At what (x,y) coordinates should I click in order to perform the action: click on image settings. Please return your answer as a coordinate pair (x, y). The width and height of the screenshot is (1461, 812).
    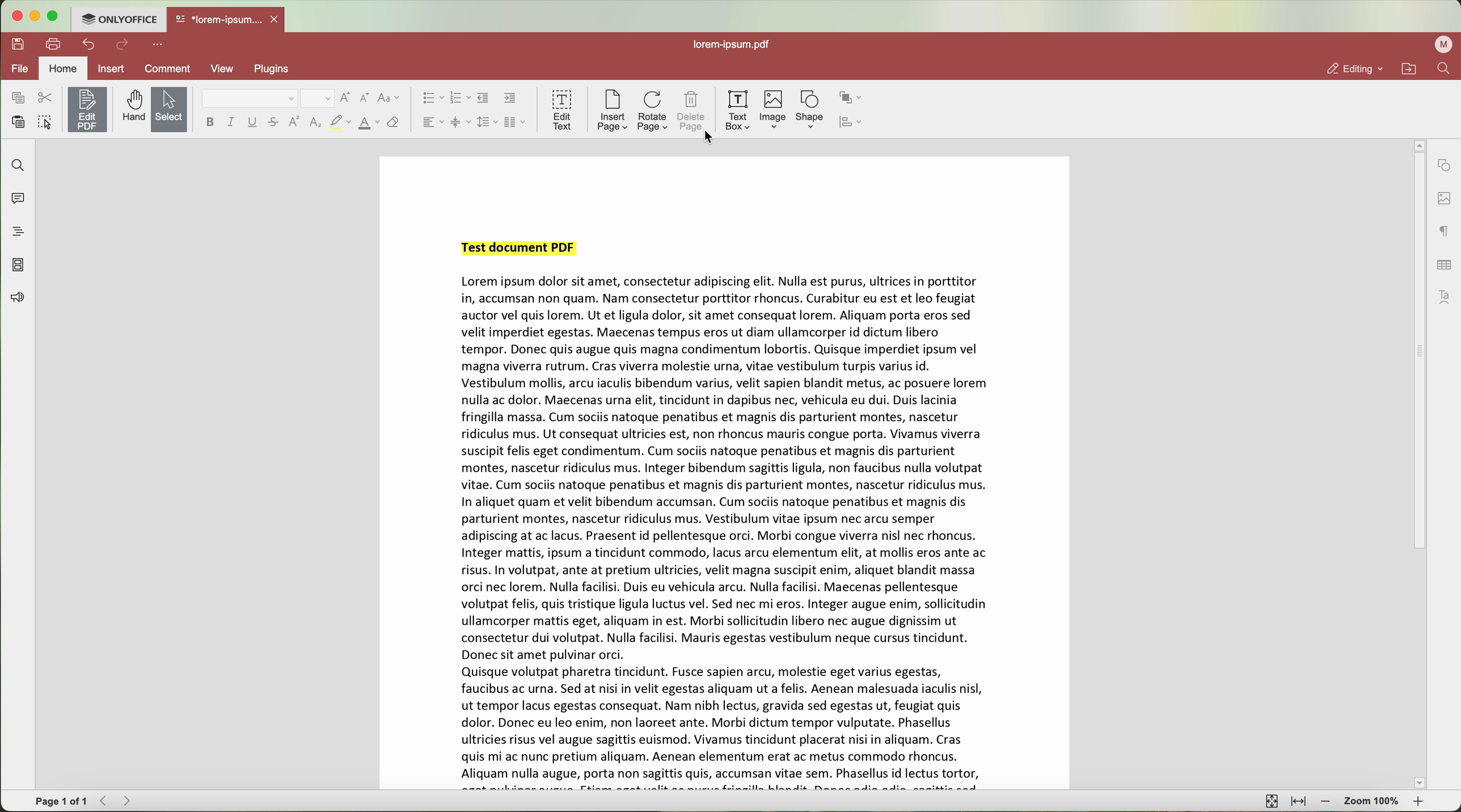
    Looking at the image, I should click on (1445, 200).